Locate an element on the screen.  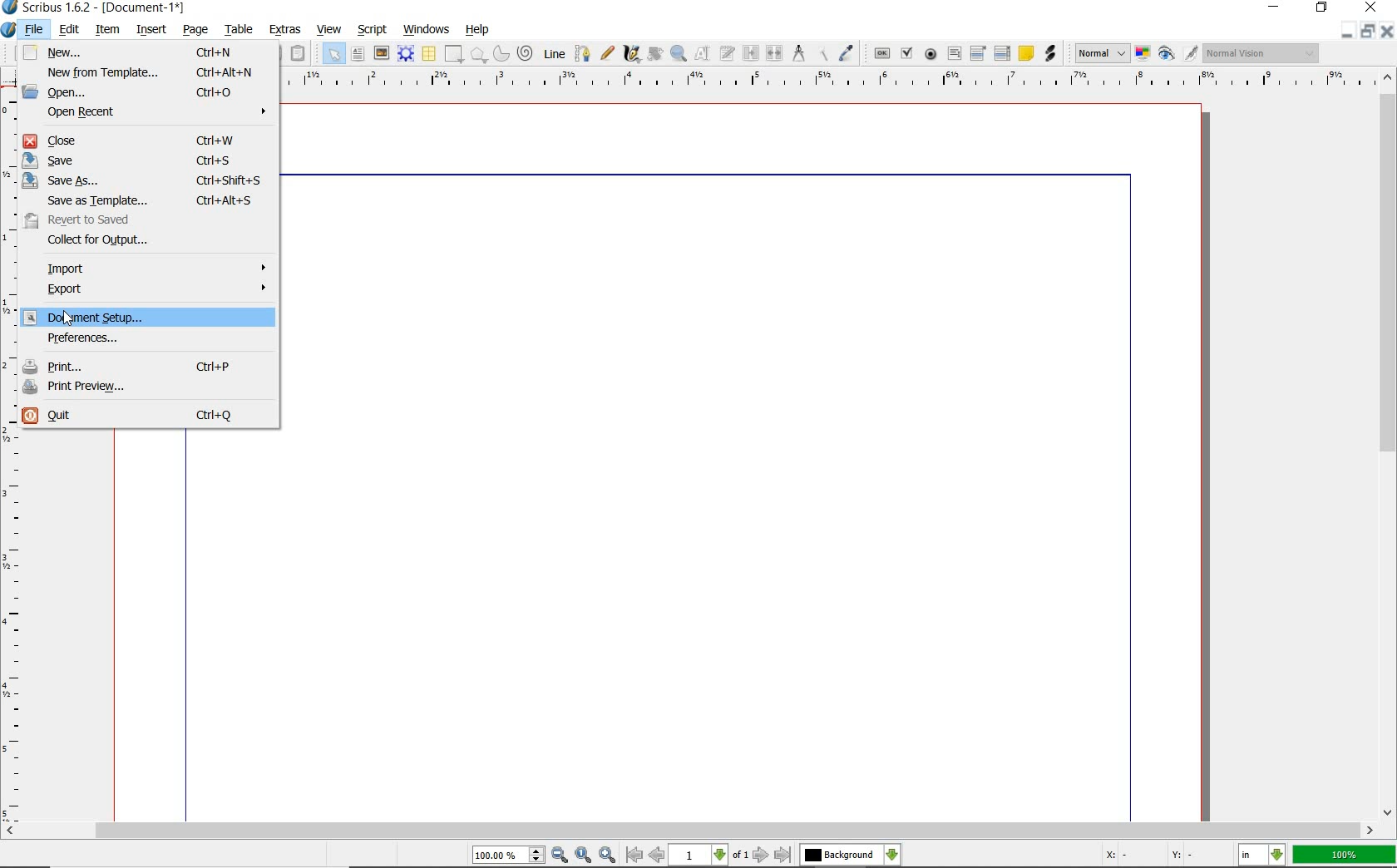
zoom in/zoom to/zoom out is located at coordinates (546, 855).